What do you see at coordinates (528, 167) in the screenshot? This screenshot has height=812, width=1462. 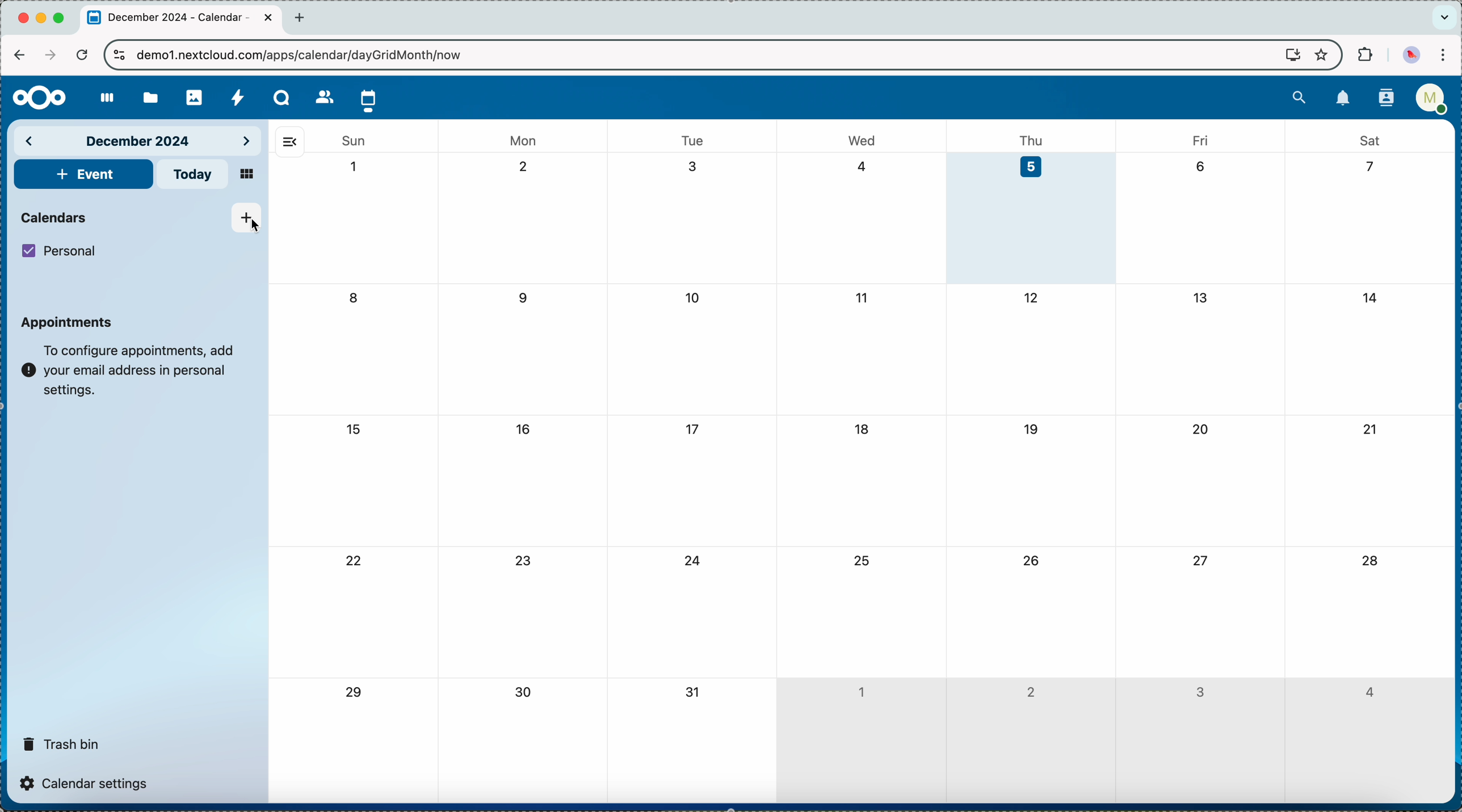 I see `2` at bounding box center [528, 167].